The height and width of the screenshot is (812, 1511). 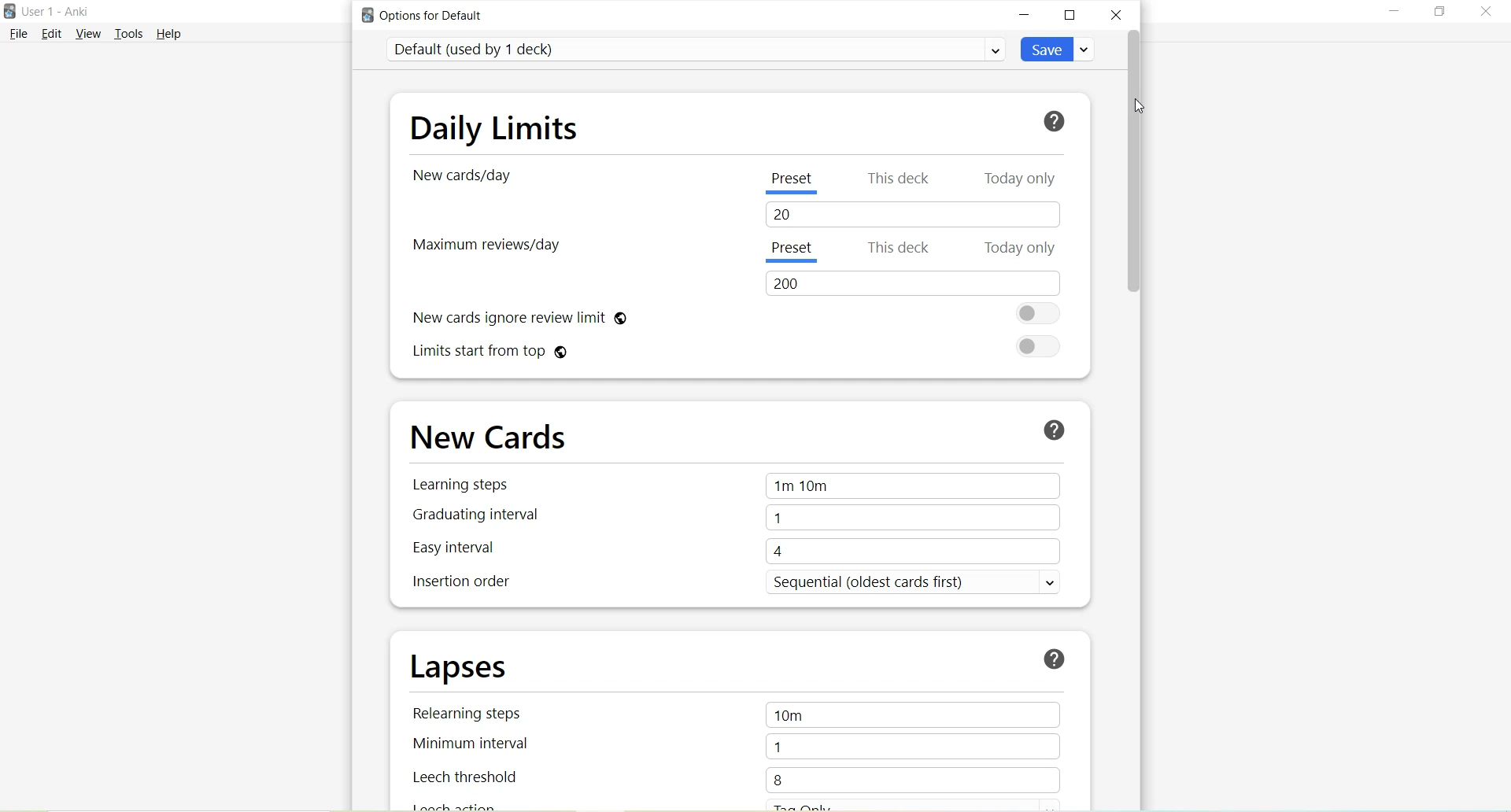 What do you see at coordinates (901, 248) in the screenshot?
I see `This deck` at bounding box center [901, 248].